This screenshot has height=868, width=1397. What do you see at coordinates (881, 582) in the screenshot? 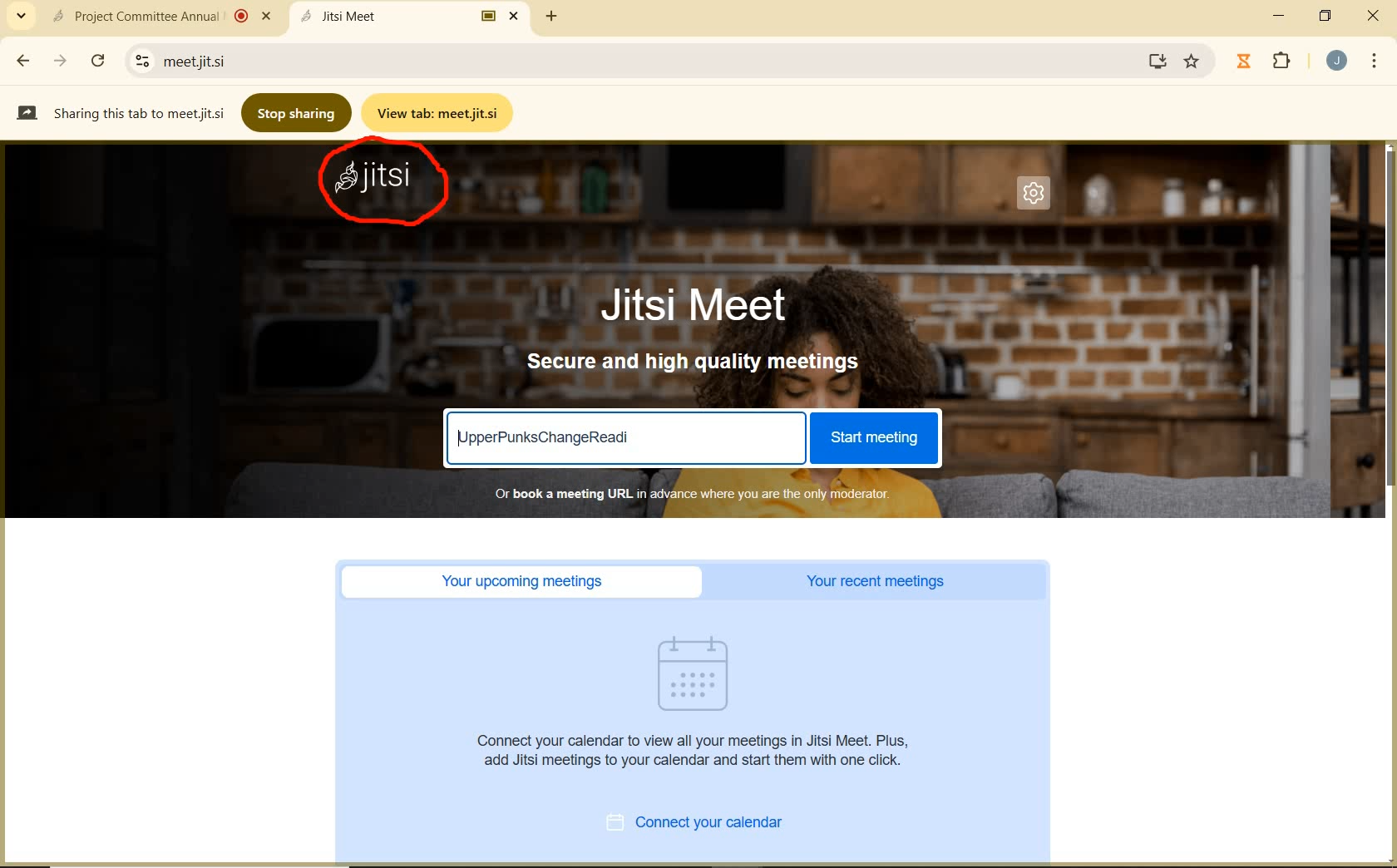
I see `YOUR RECENT MEETINGS` at bounding box center [881, 582].